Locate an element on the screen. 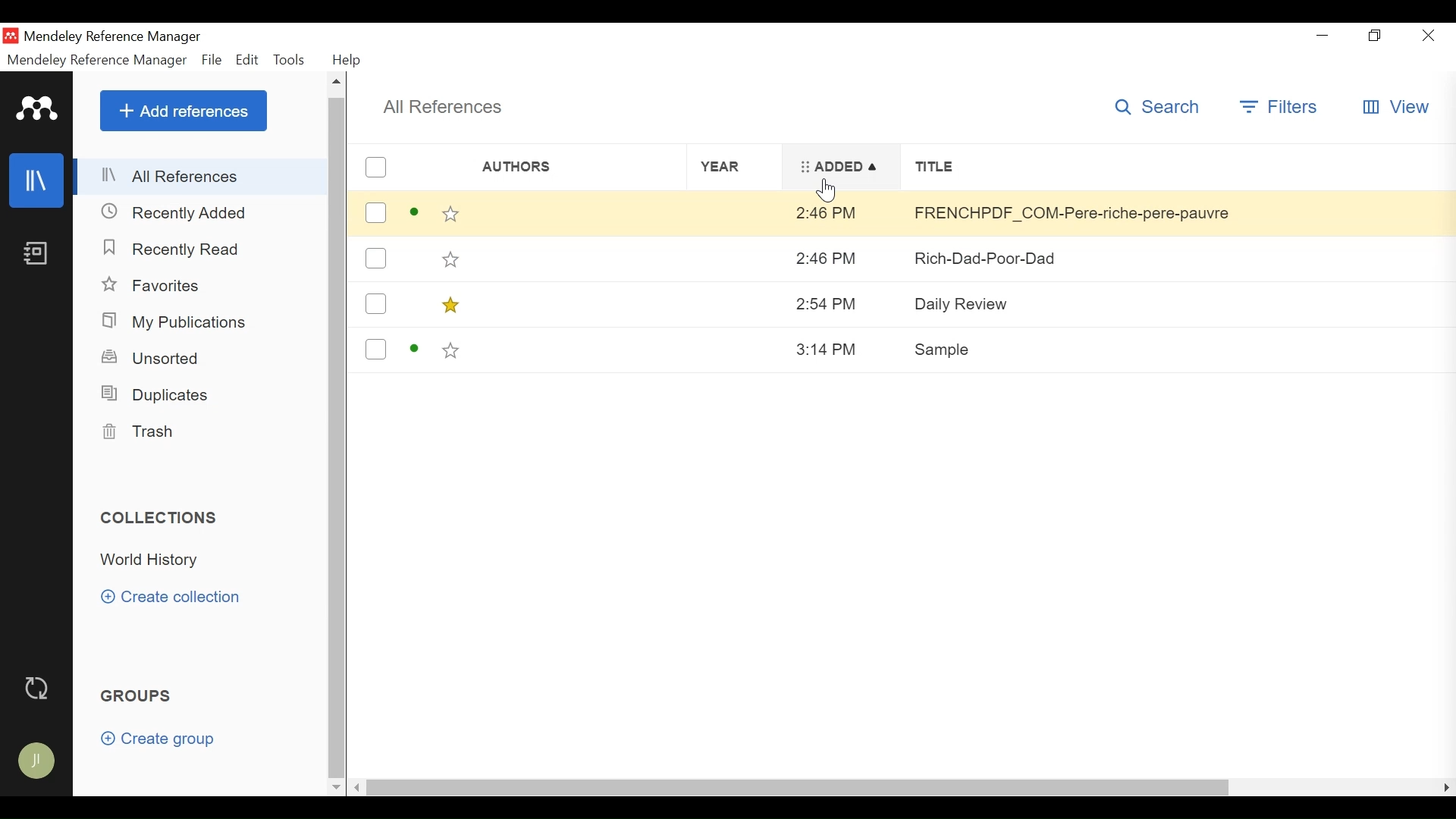 Image resolution: width=1456 pixels, height=819 pixels. Toggle Favorites is located at coordinates (451, 214).